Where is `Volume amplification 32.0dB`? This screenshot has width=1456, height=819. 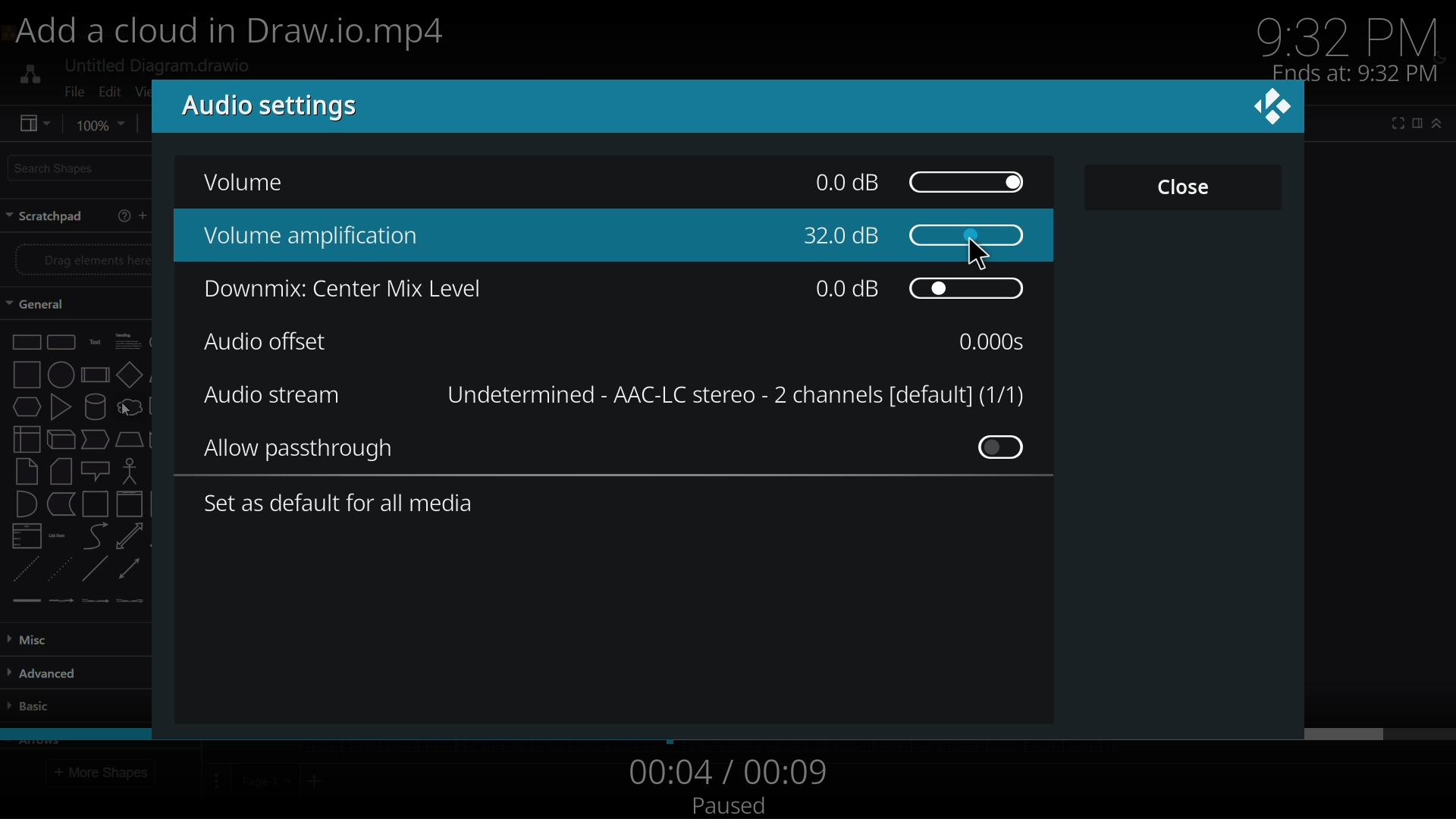 Volume amplification 32.0dB is located at coordinates (629, 236).